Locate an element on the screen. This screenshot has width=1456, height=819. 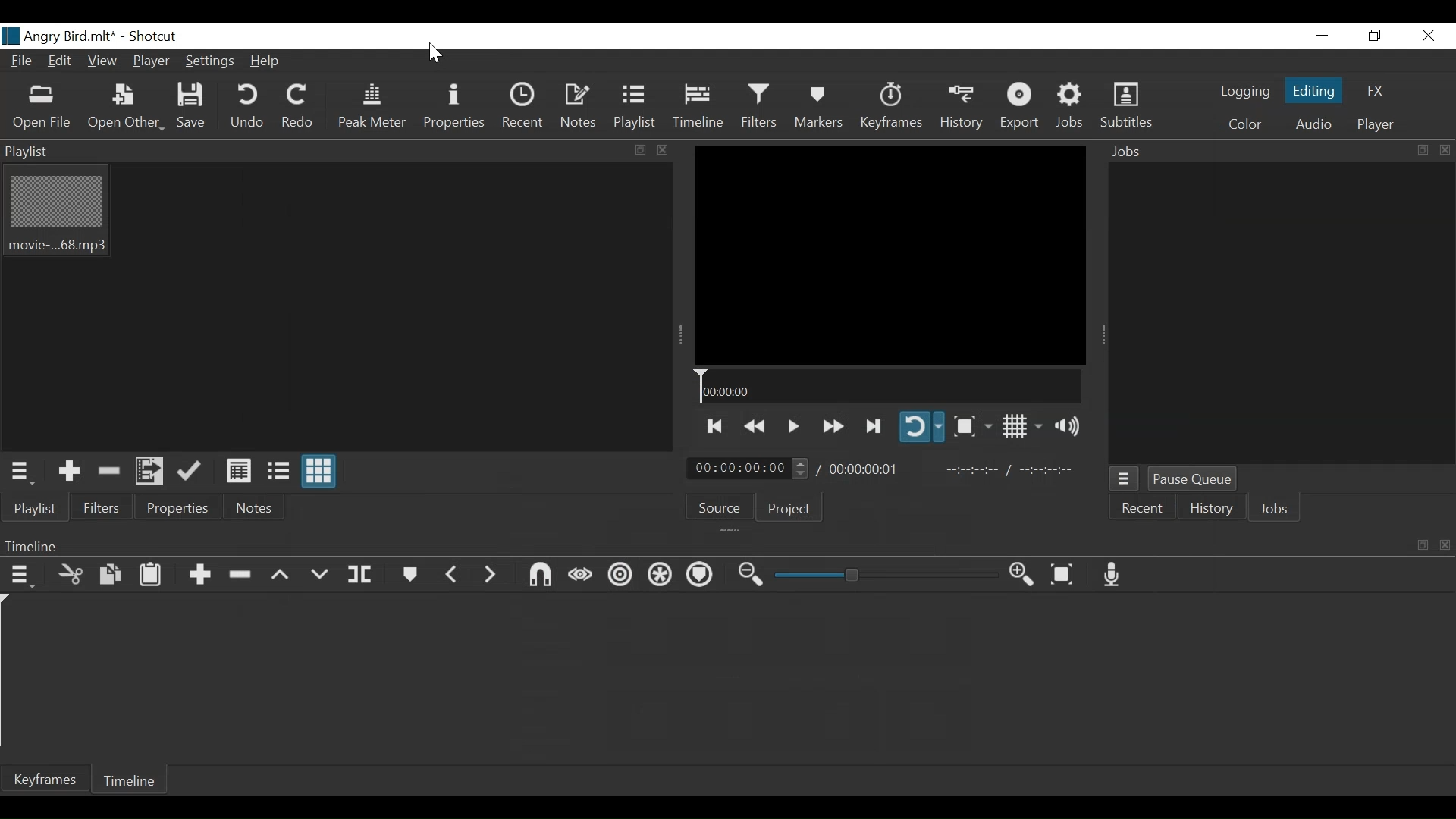
Keyframes is located at coordinates (46, 779).